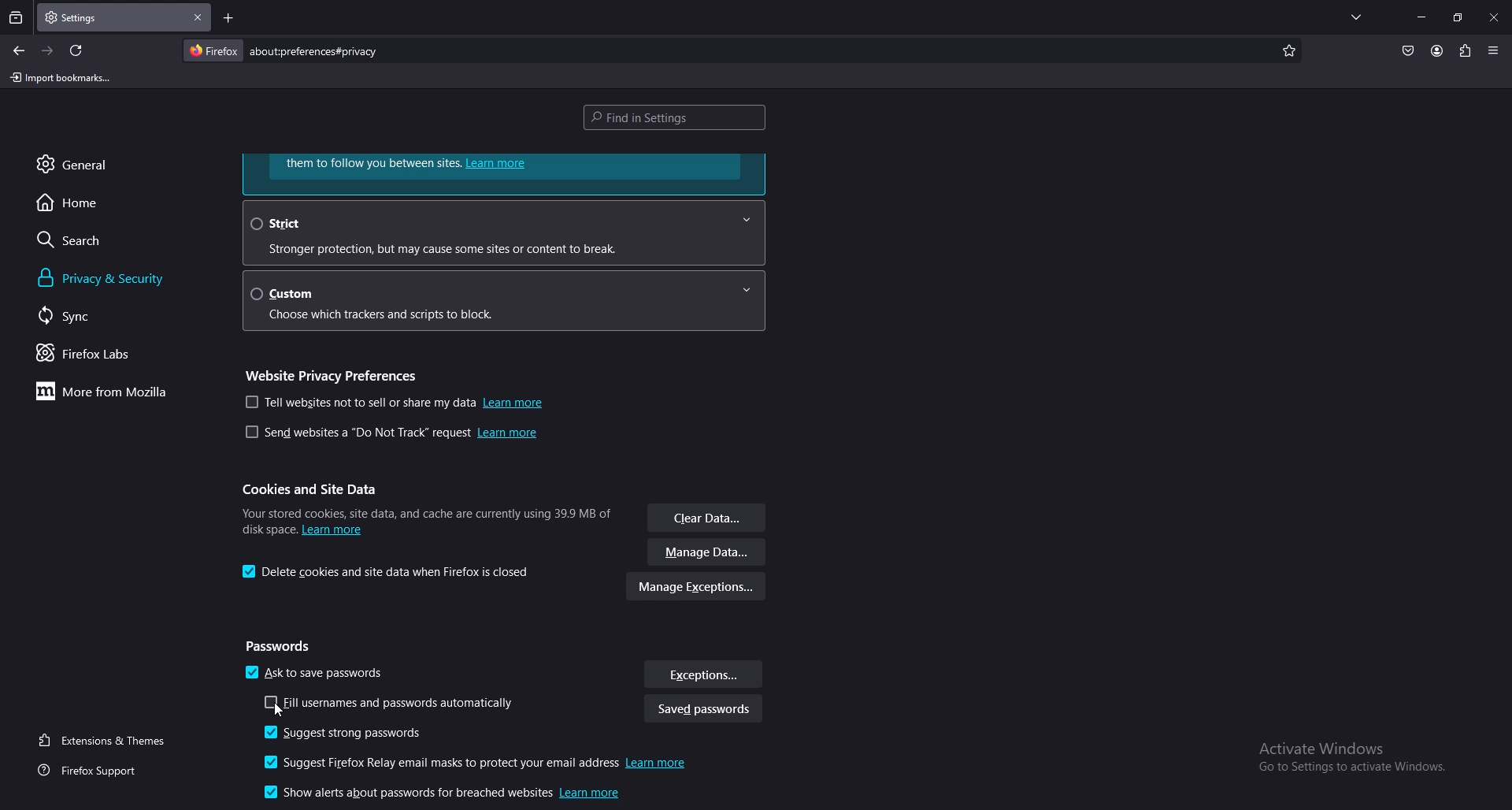 This screenshot has width=1512, height=810. Describe the element at coordinates (391, 435) in the screenshot. I see `send website do not track request` at that location.